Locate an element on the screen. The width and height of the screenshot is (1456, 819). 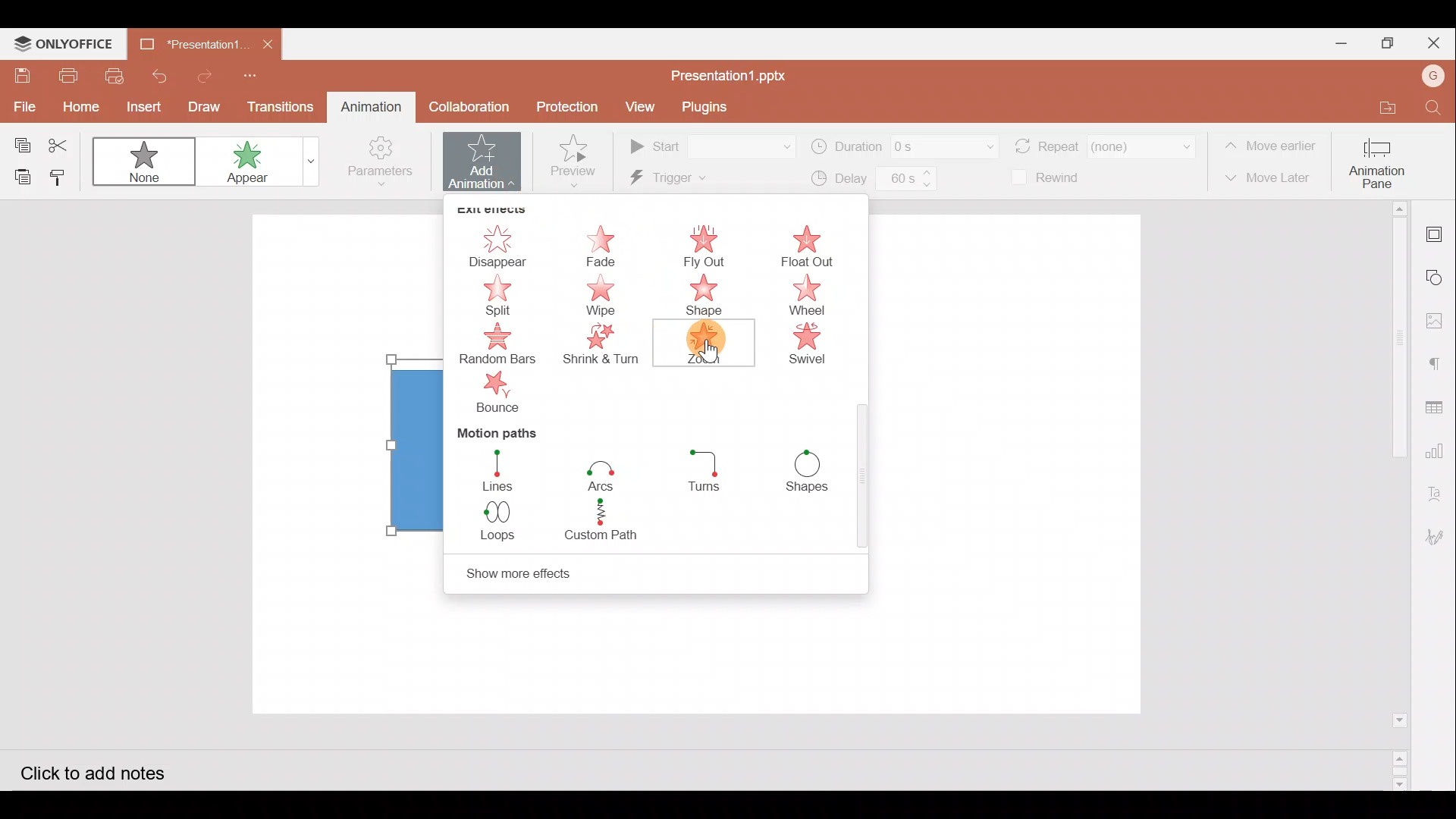
Show more effects is located at coordinates (564, 571).